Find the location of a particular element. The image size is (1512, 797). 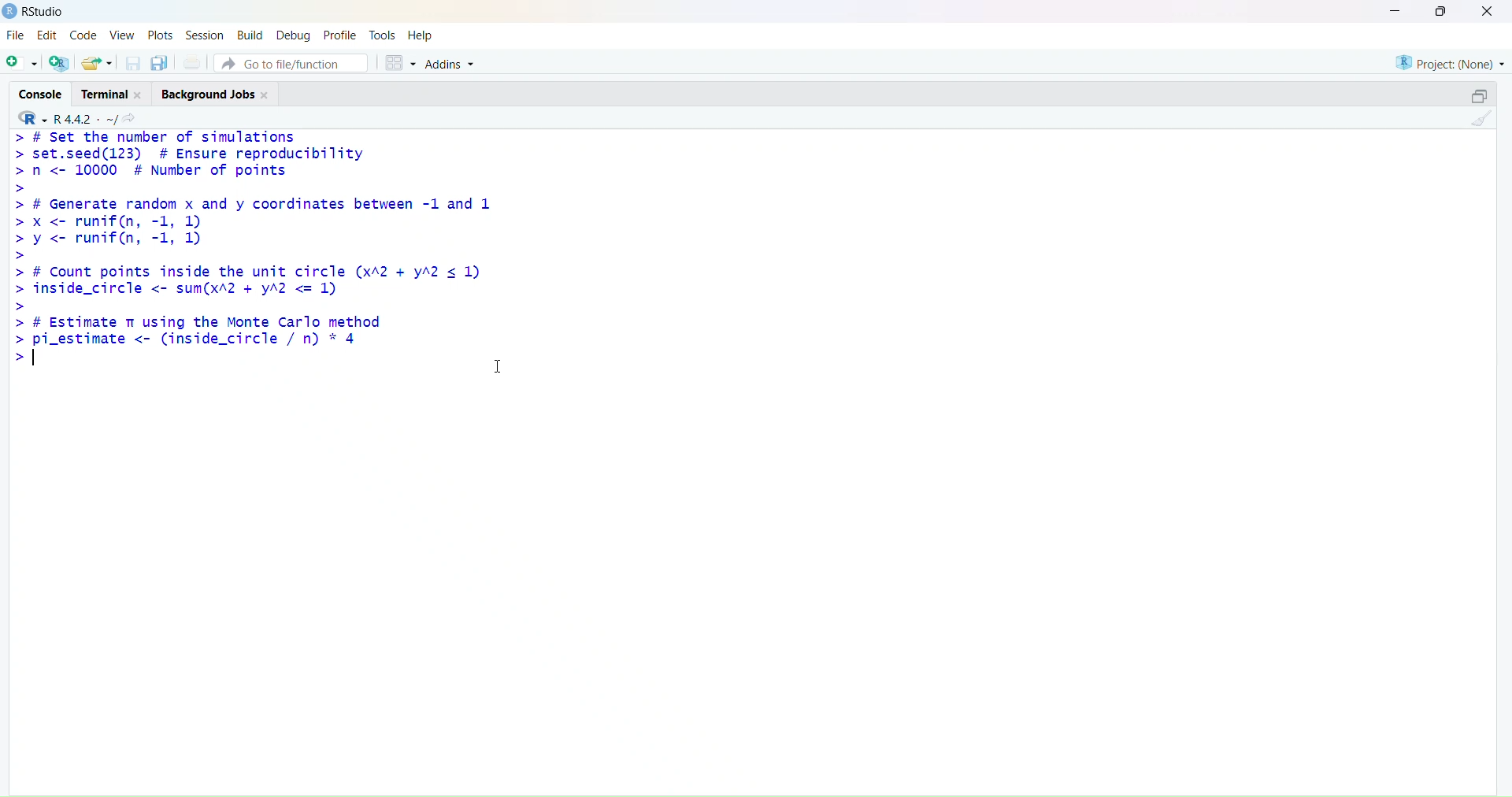

Help is located at coordinates (424, 34).